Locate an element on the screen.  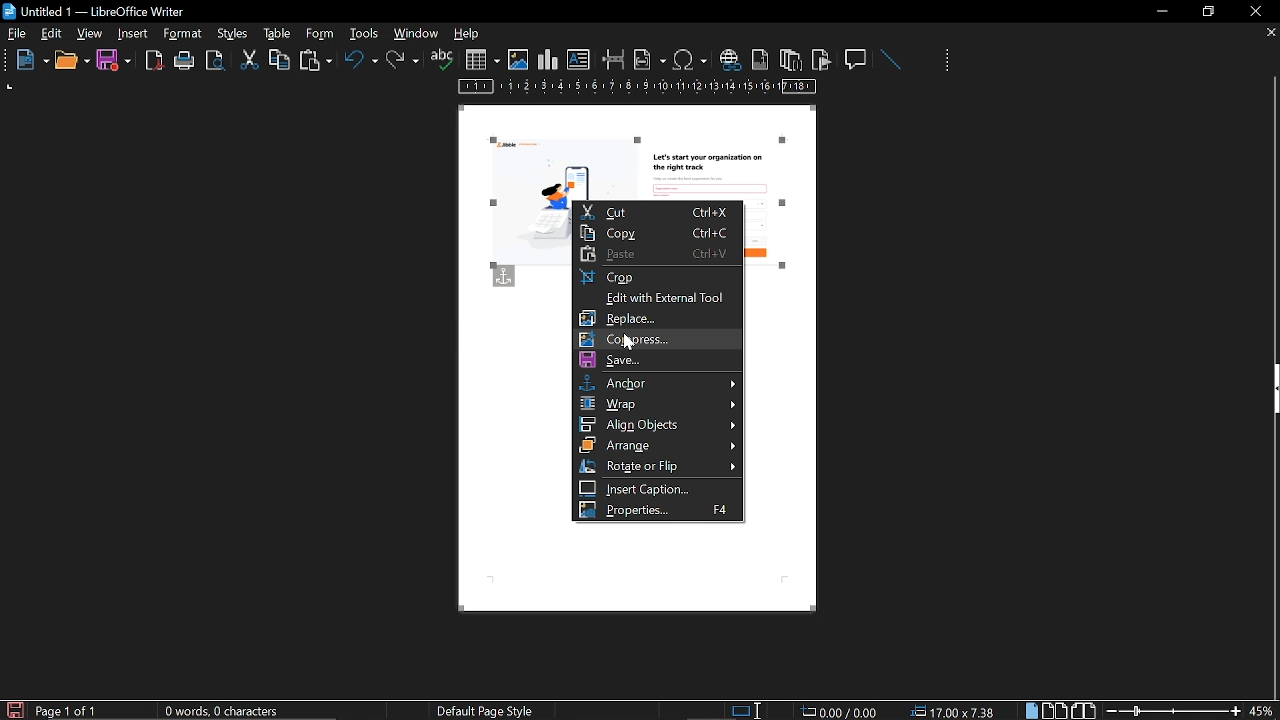
book view is located at coordinates (1082, 709).